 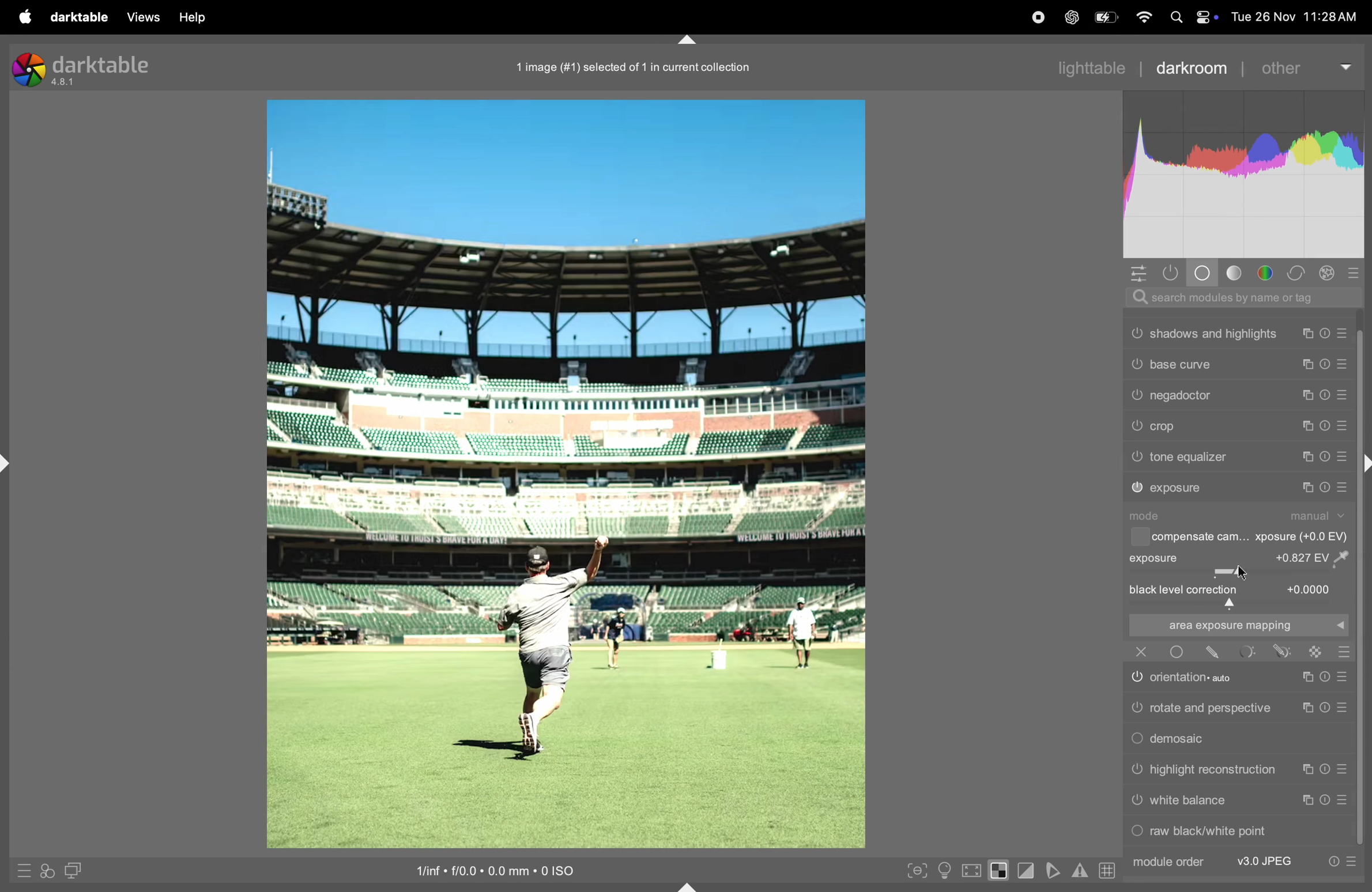 What do you see at coordinates (629, 65) in the screenshot?
I see `image collection` at bounding box center [629, 65].